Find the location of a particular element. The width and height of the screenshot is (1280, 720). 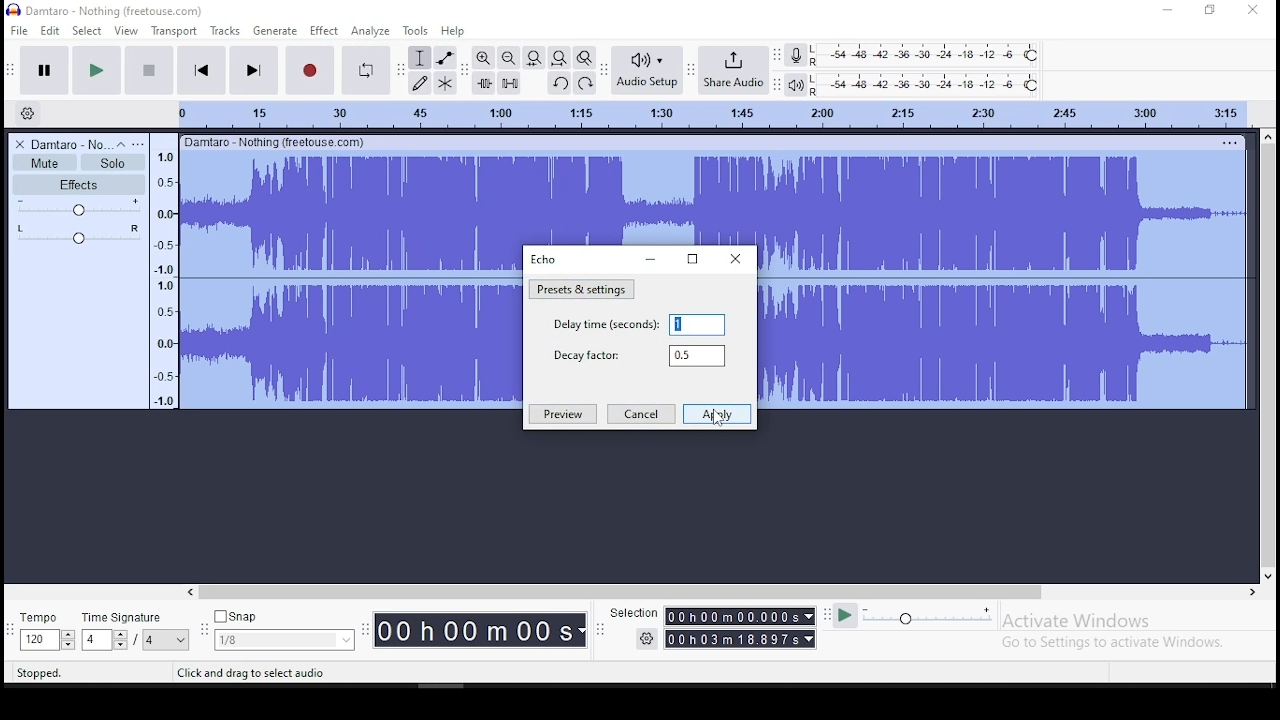

playback meter is located at coordinates (796, 85).